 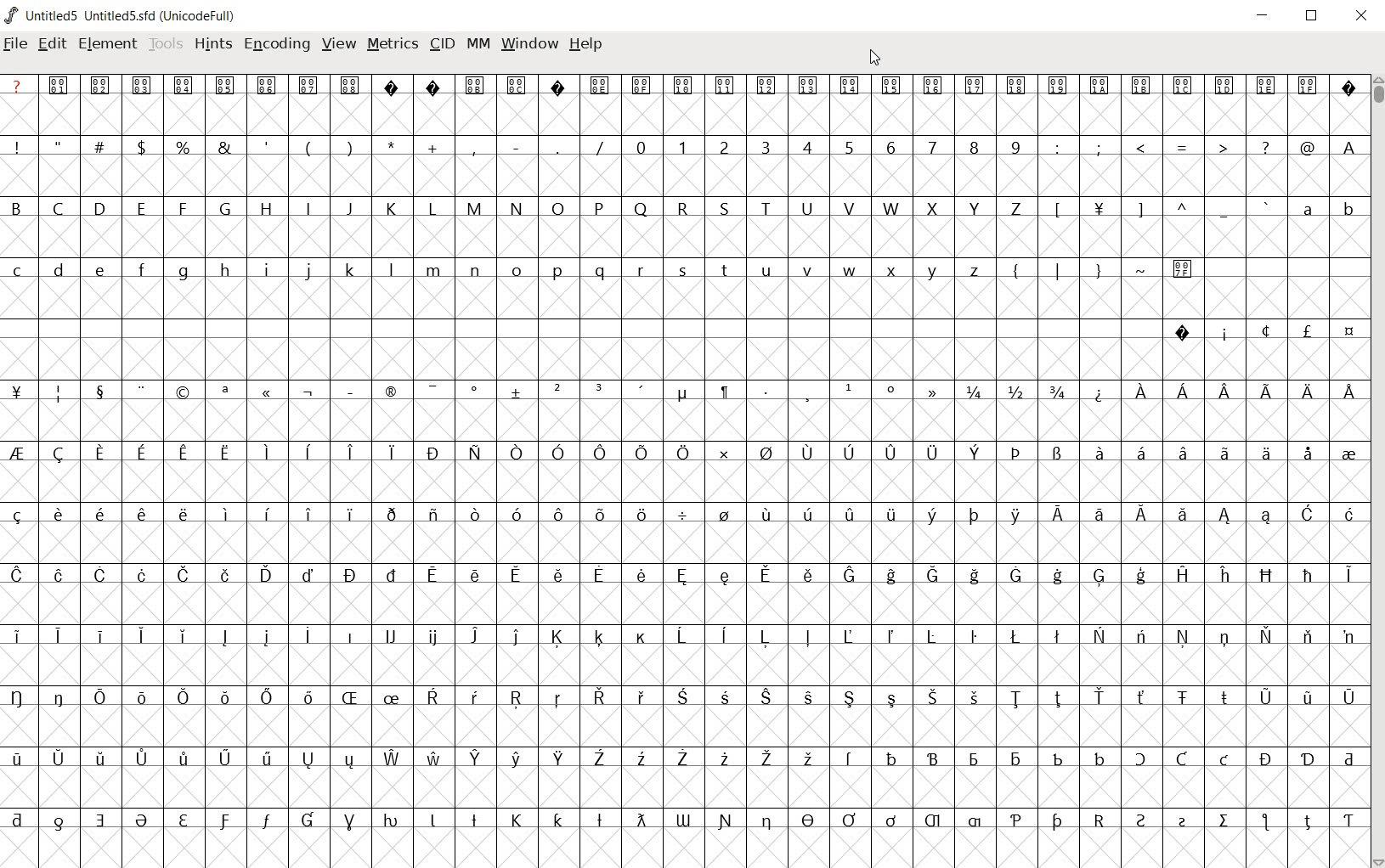 What do you see at coordinates (1016, 636) in the screenshot?
I see `Symbol` at bounding box center [1016, 636].